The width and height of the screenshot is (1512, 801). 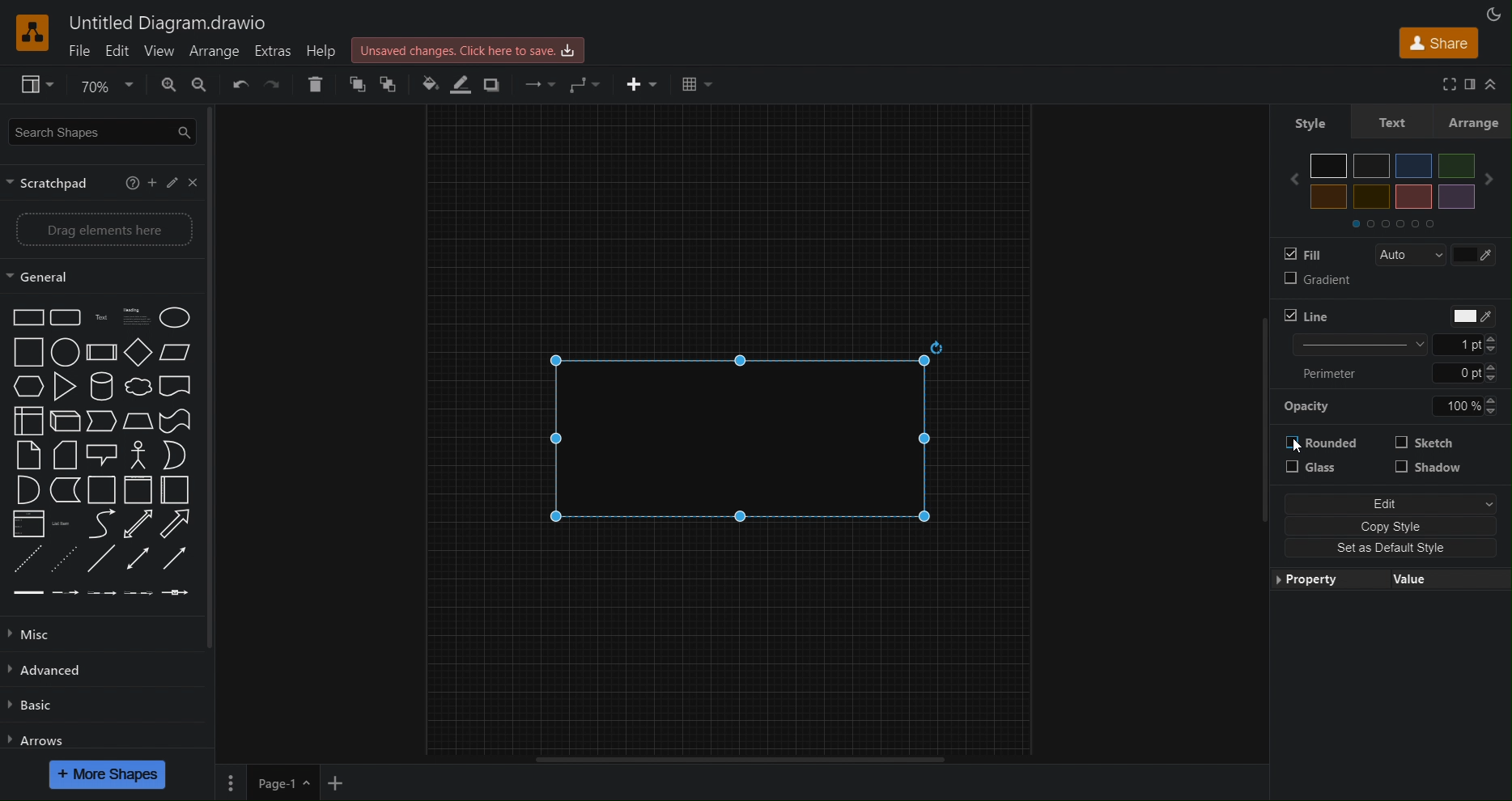 I want to click on View, so click(x=29, y=86).